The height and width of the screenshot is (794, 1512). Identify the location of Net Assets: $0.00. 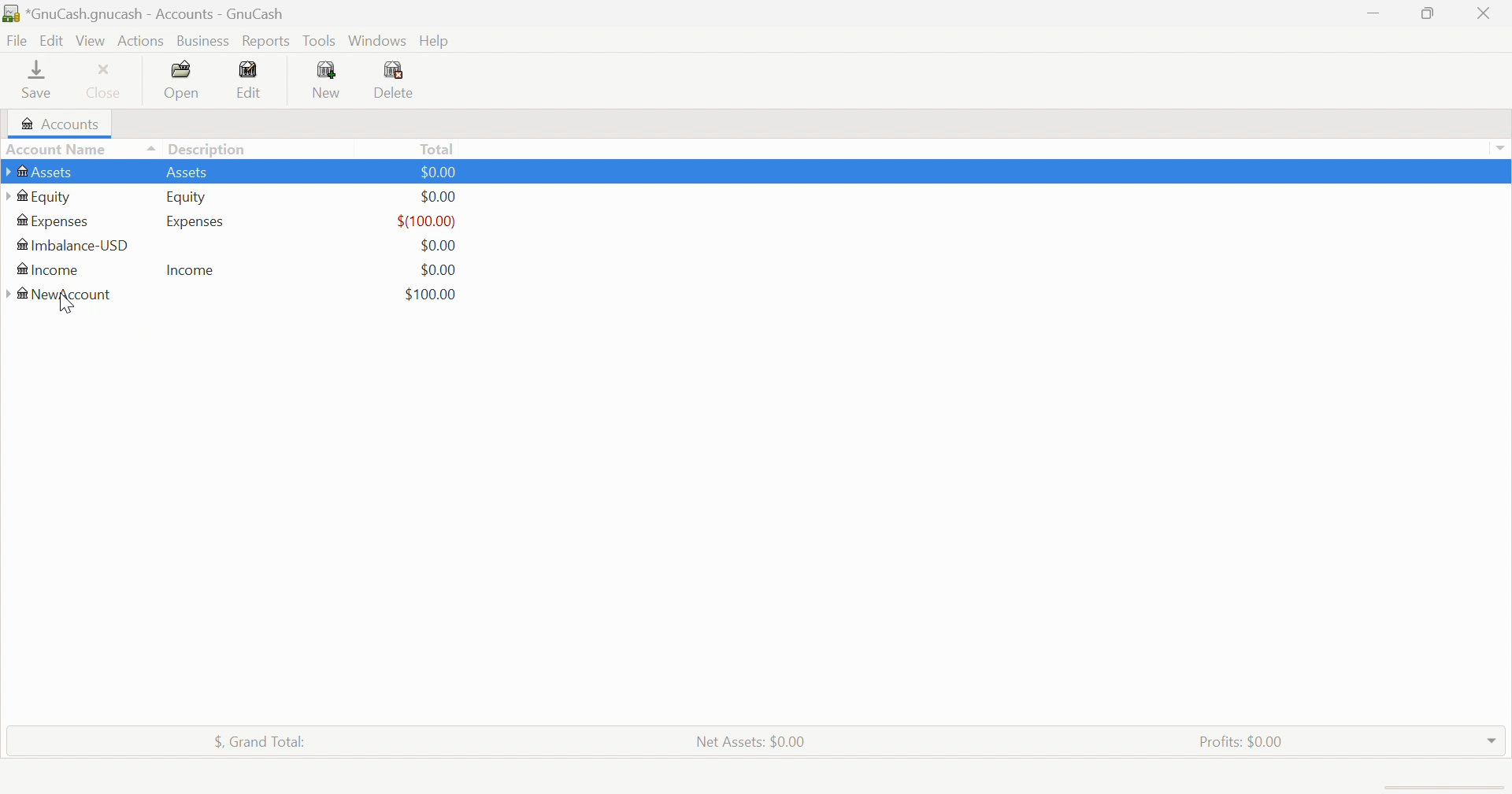
(749, 742).